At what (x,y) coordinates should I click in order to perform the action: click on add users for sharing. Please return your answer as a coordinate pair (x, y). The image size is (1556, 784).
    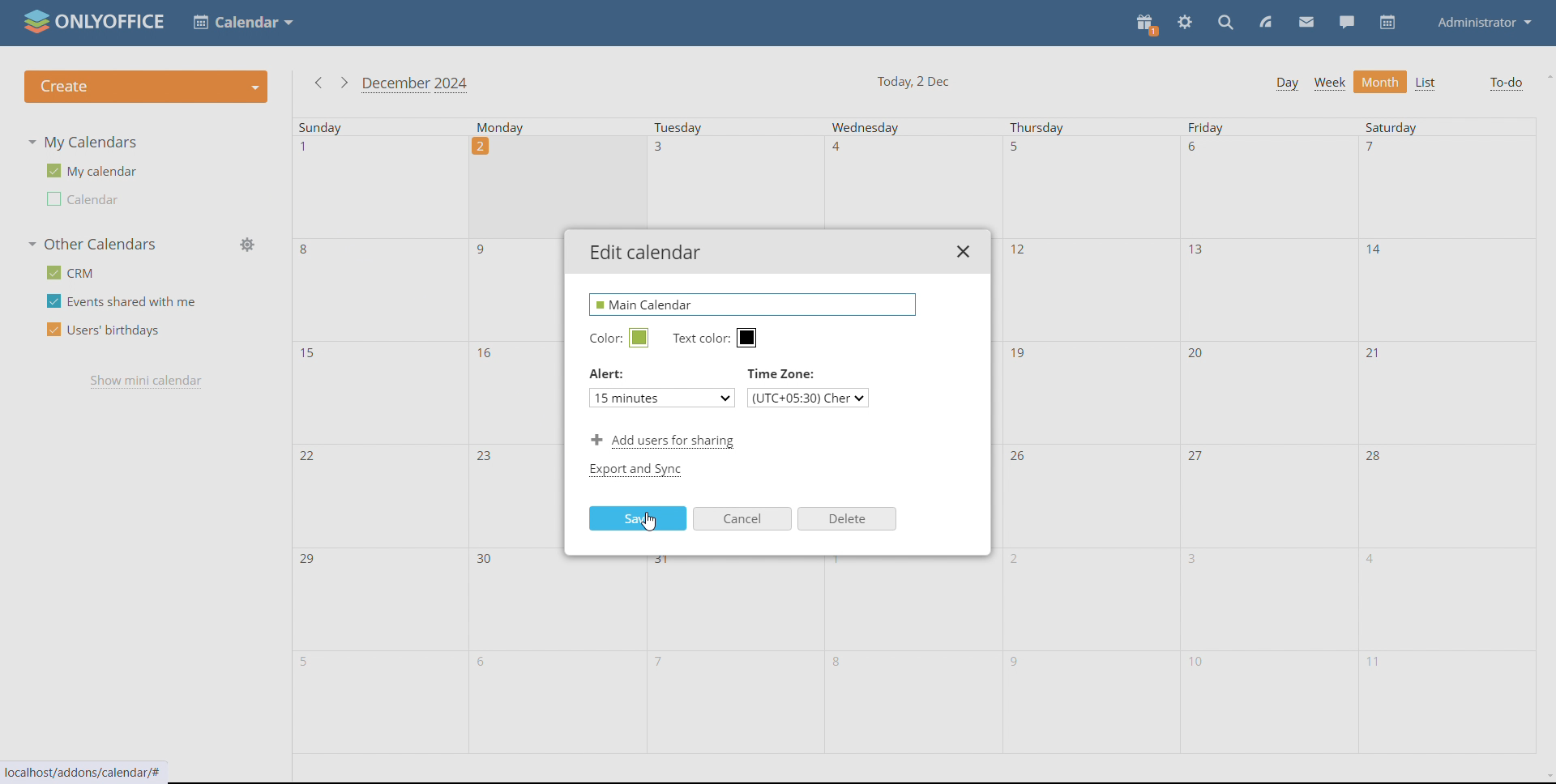
    Looking at the image, I should click on (664, 441).